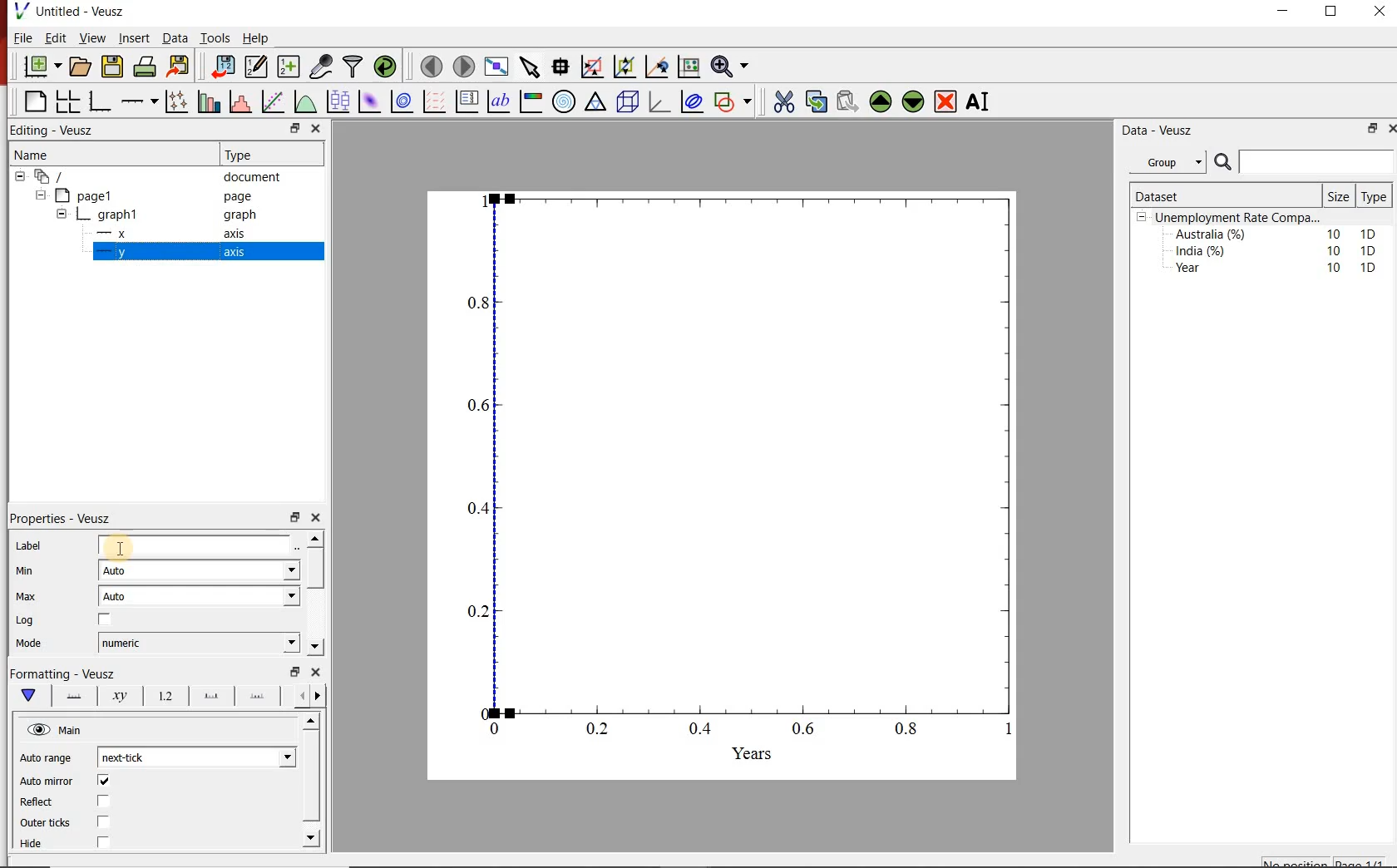 This screenshot has width=1397, height=868. What do you see at coordinates (565, 102) in the screenshot?
I see `polar graph` at bounding box center [565, 102].